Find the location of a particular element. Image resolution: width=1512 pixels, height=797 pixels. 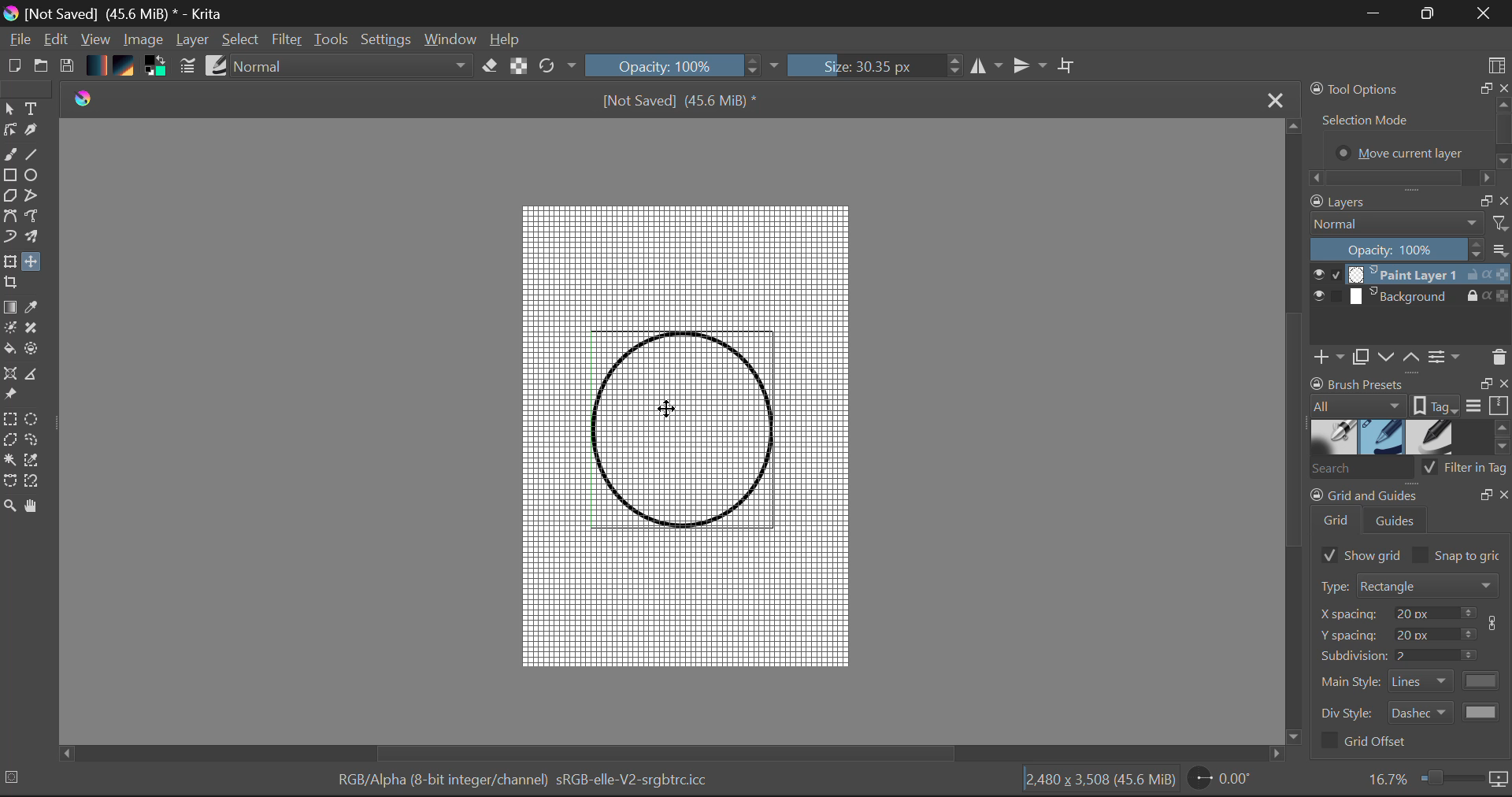

Layer is located at coordinates (194, 41).